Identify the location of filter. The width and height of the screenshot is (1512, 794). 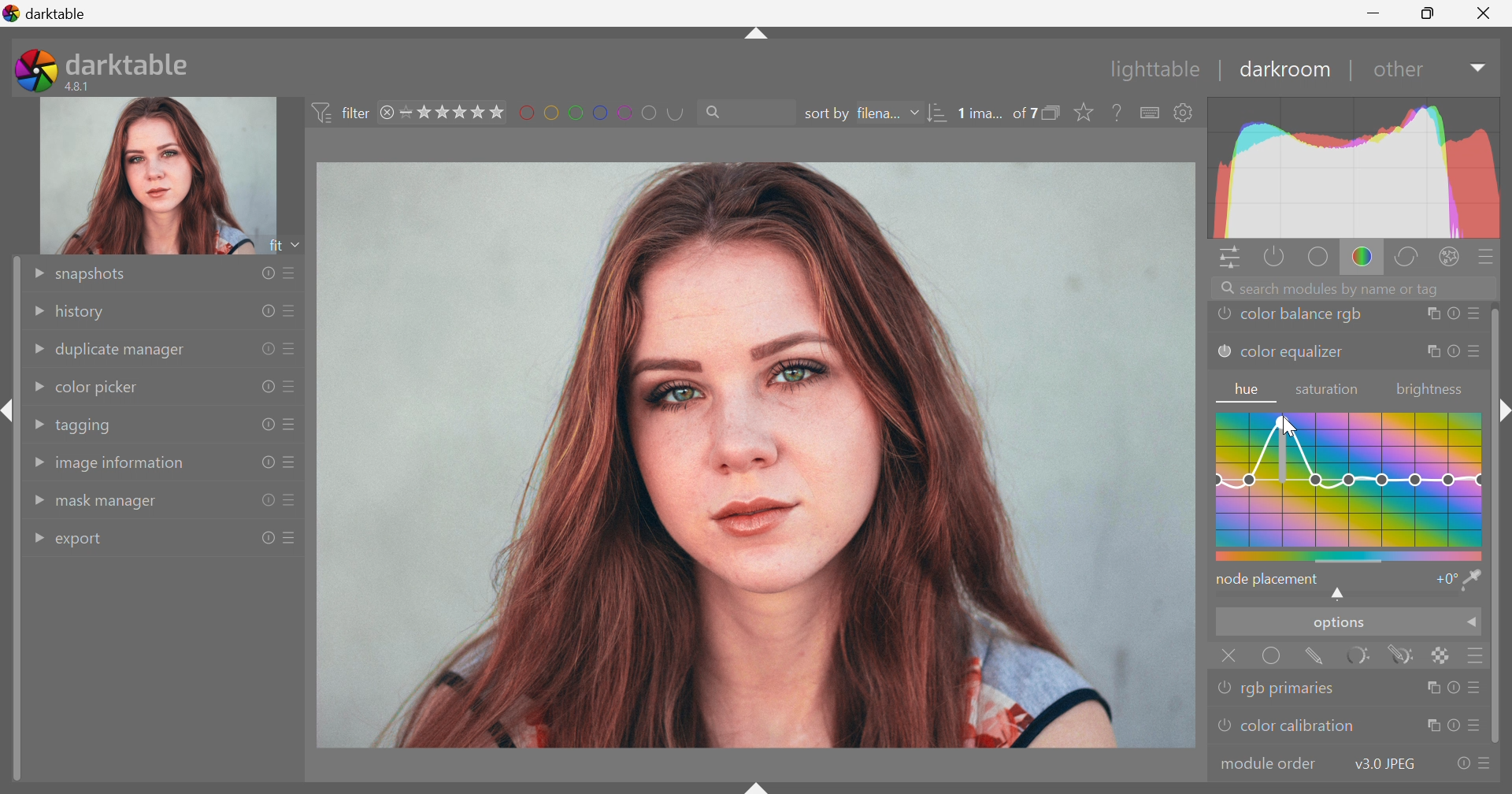
(339, 110).